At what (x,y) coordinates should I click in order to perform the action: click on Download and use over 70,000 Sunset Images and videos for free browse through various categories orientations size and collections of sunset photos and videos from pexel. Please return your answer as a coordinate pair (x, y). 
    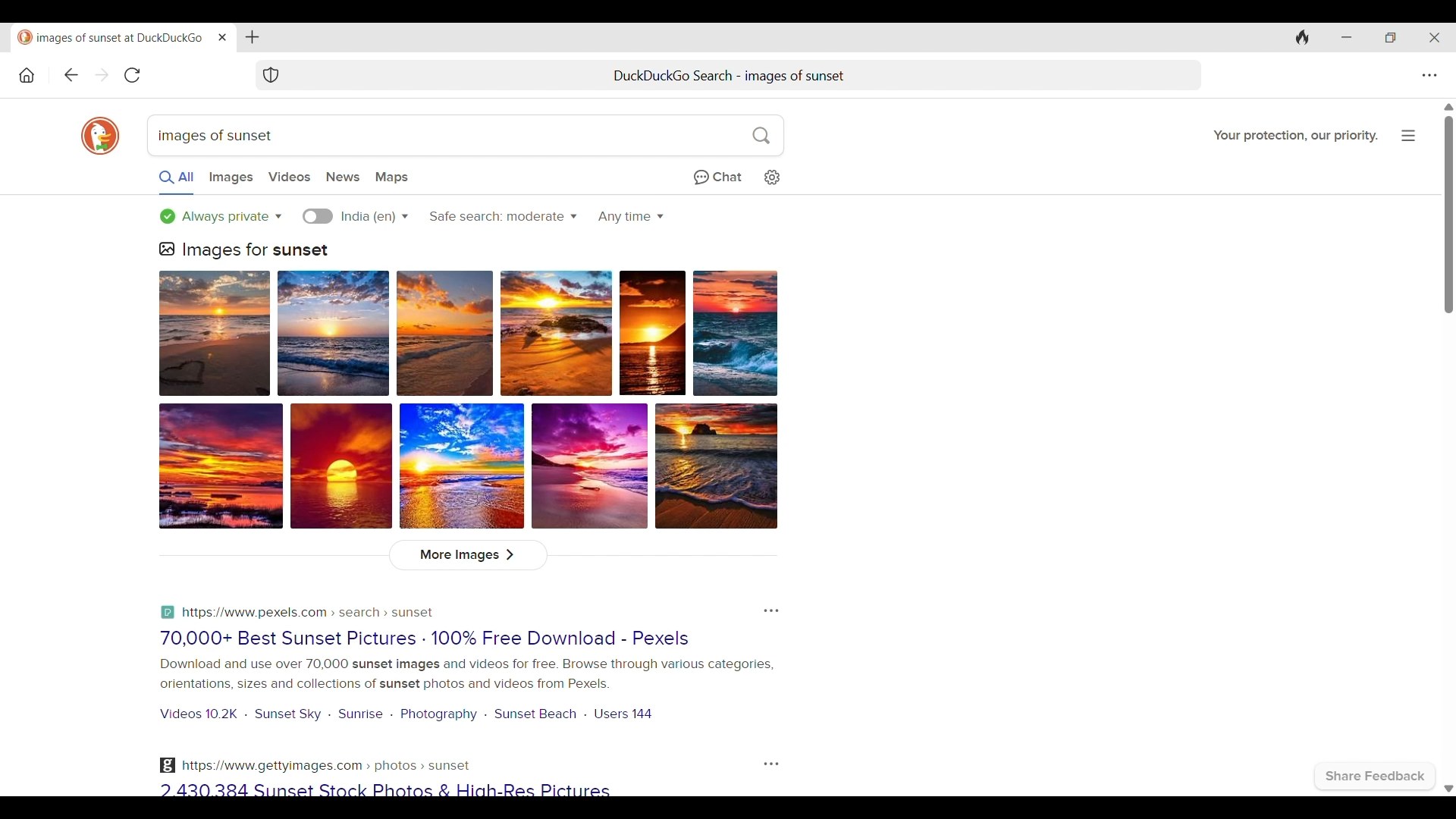
    Looking at the image, I should click on (464, 674).